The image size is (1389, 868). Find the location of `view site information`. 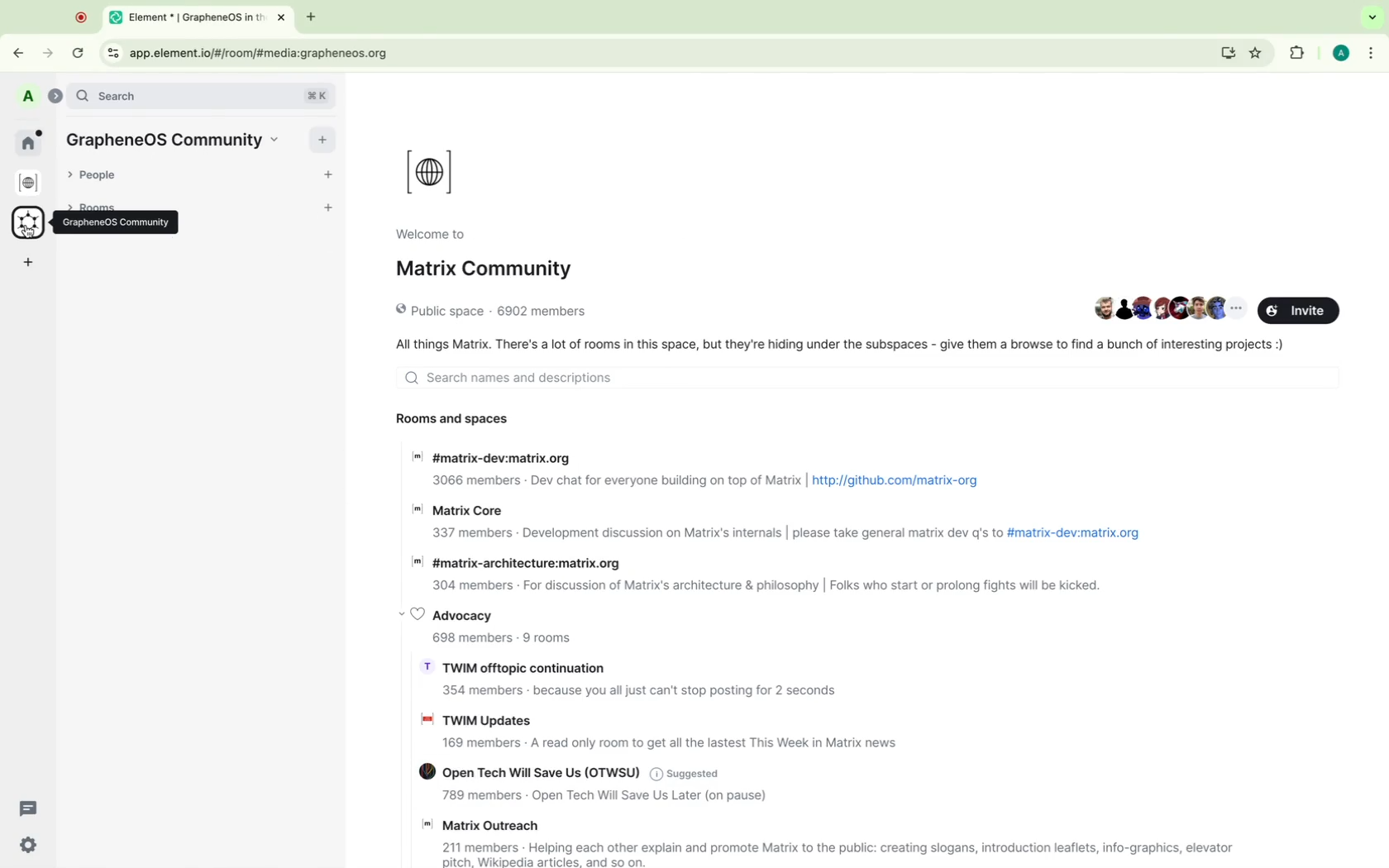

view site information is located at coordinates (112, 53).